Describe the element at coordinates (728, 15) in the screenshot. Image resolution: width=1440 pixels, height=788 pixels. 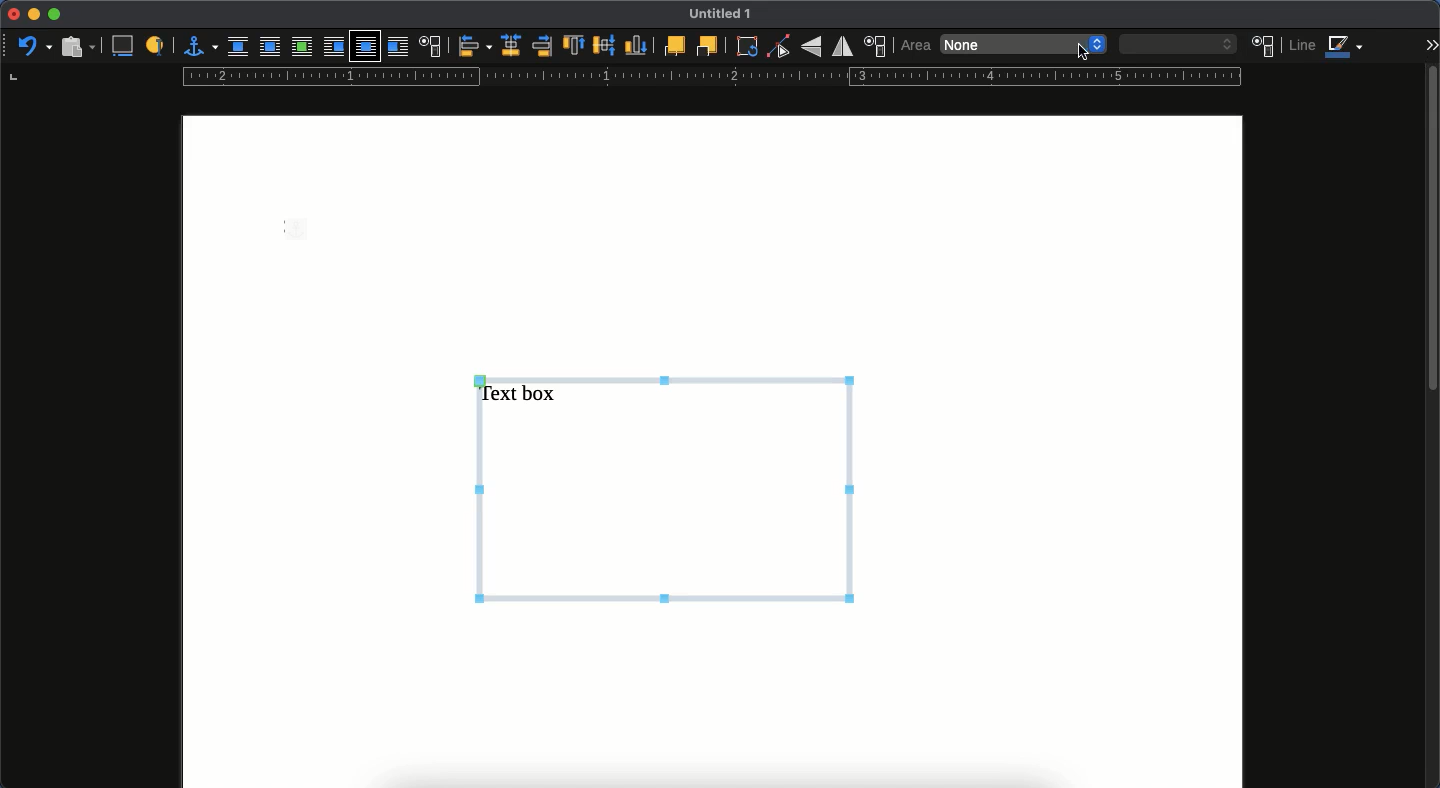
I see `UNTITLED 1` at that location.